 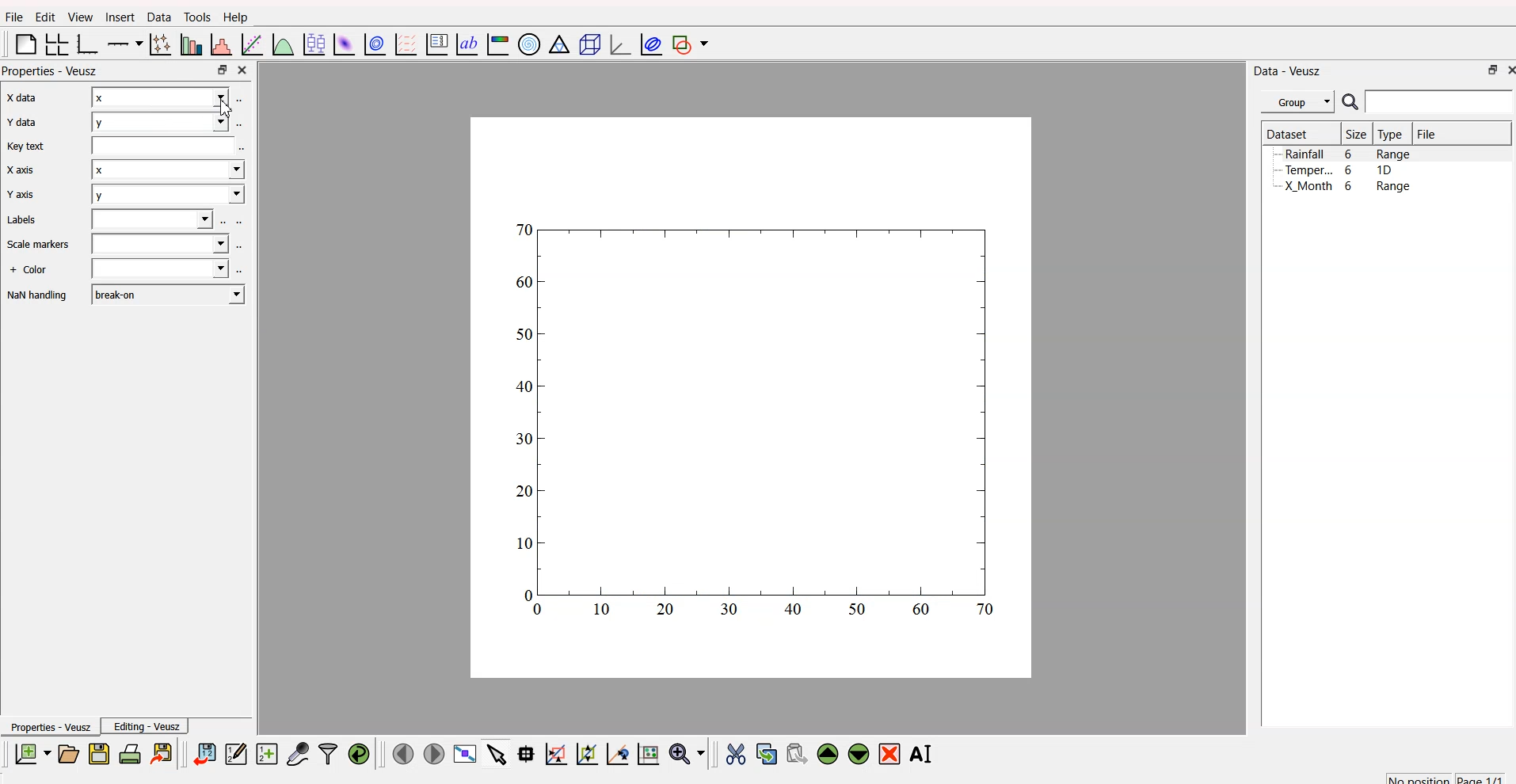 What do you see at coordinates (166, 194) in the screenshot?
I see `y` at bounding box center [166, 194].